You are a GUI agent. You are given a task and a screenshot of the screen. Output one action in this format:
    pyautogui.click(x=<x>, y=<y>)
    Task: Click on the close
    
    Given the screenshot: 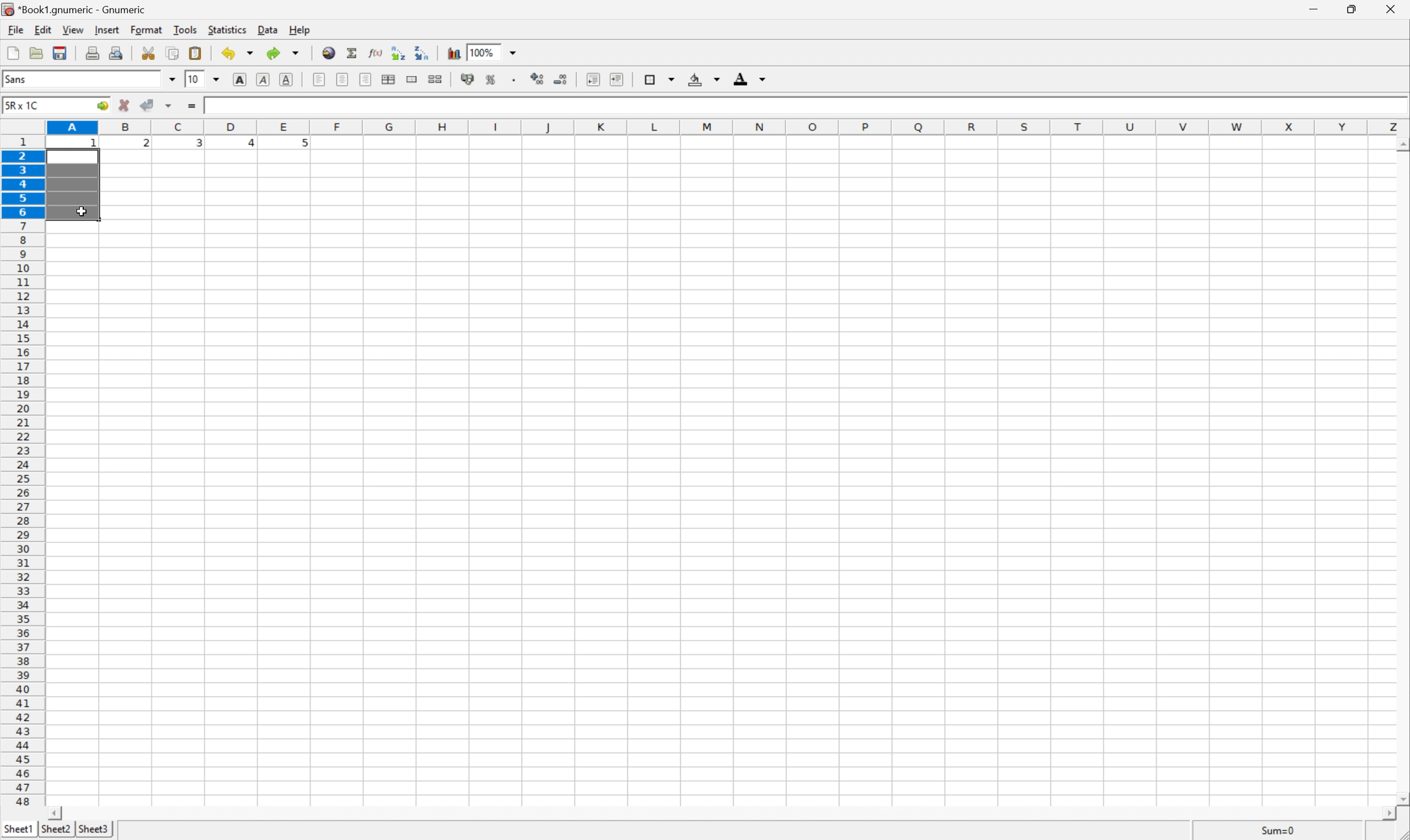 What is the action you would take?
    pyautogui.click(x=1393, y=11)
    